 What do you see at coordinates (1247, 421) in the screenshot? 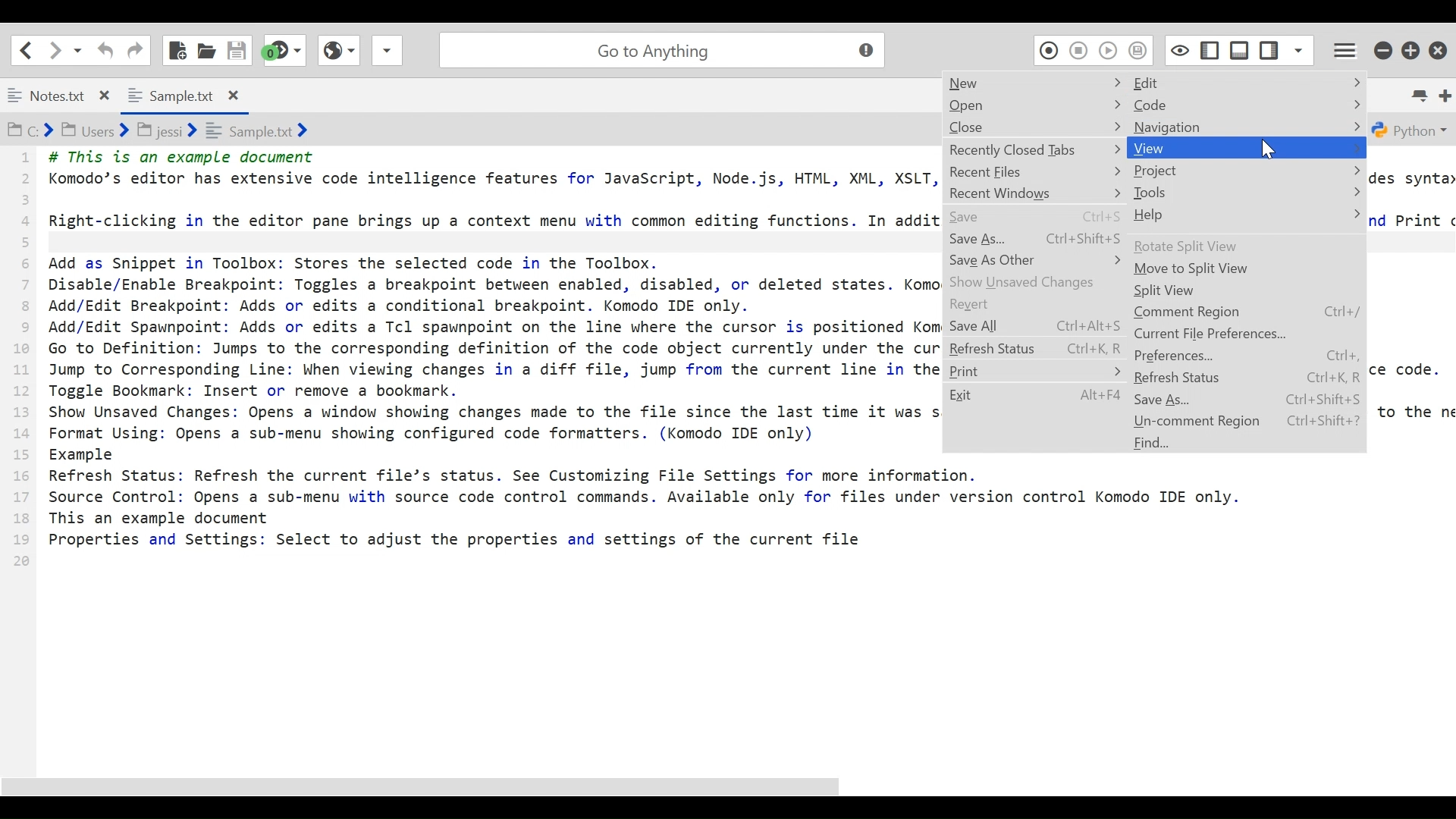
I see `Un-comment Region Ctrl+Shift+?` at bounding box center [1247, 421].